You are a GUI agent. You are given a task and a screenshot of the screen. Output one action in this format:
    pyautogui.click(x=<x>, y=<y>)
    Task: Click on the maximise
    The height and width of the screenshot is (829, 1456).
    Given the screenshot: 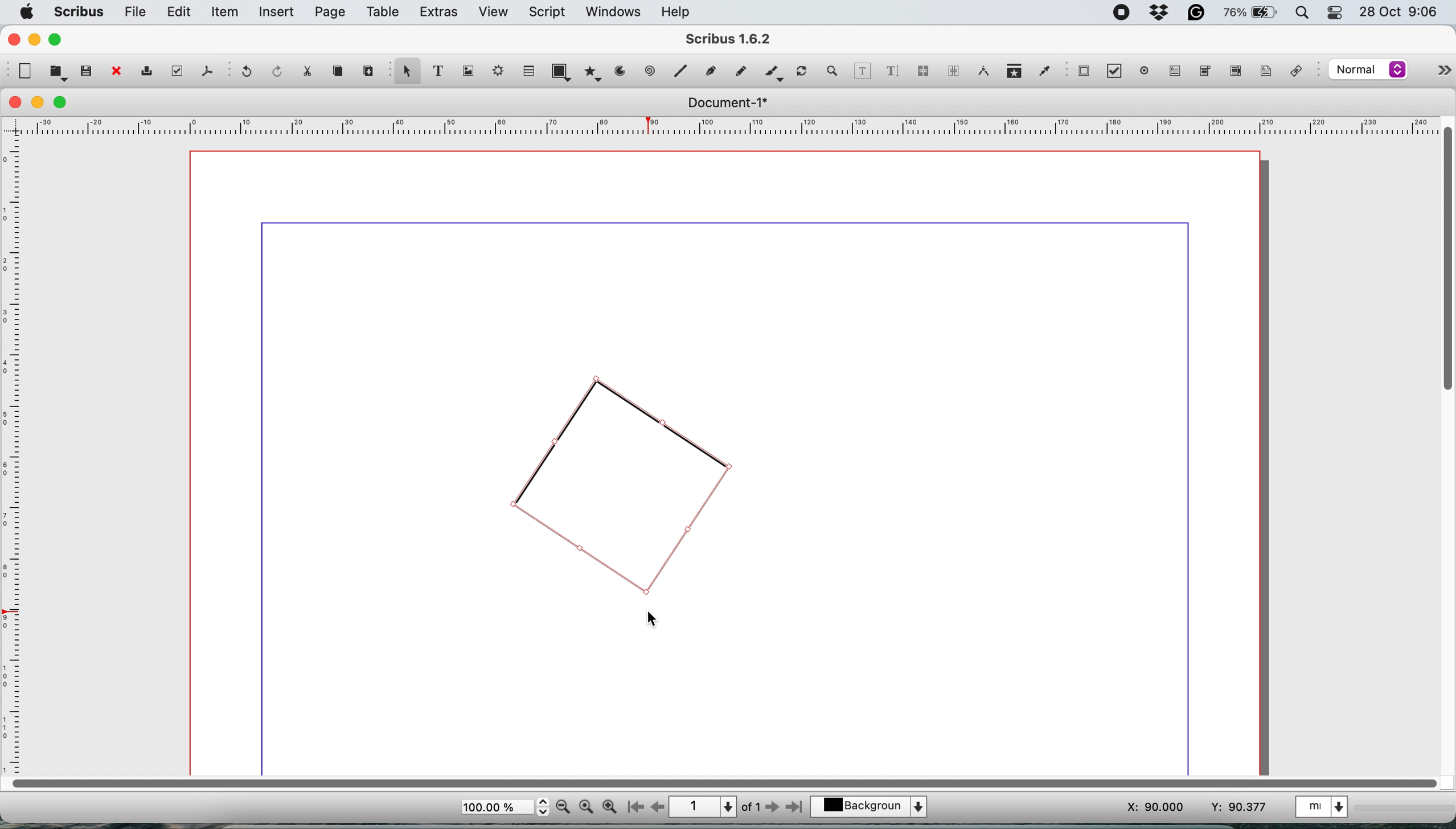 What is the action you would take?
    pyautogui.click(x=63, y=102)
    